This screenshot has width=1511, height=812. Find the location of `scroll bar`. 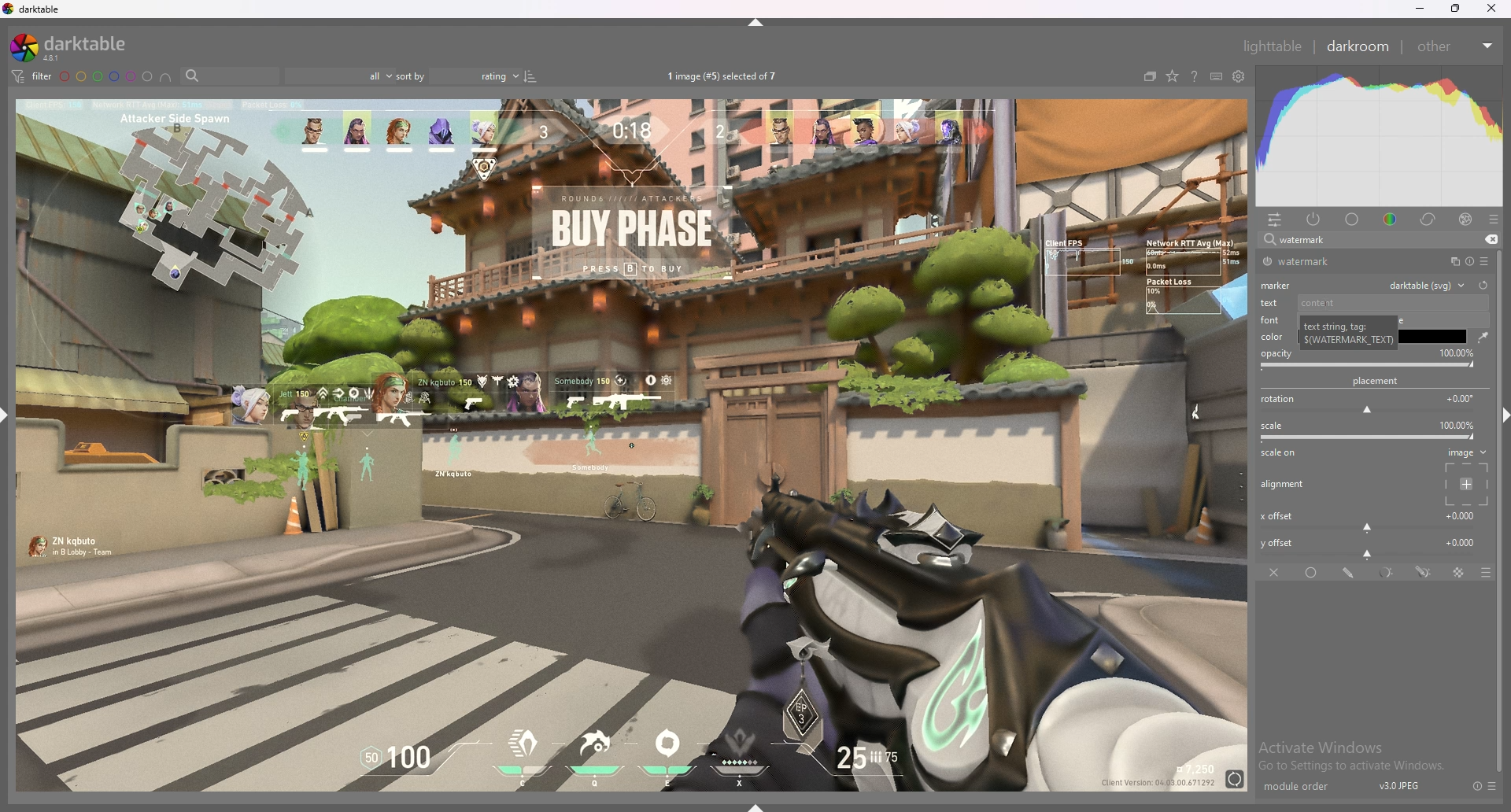

scroll bar is located at coordinates (1502, 600).